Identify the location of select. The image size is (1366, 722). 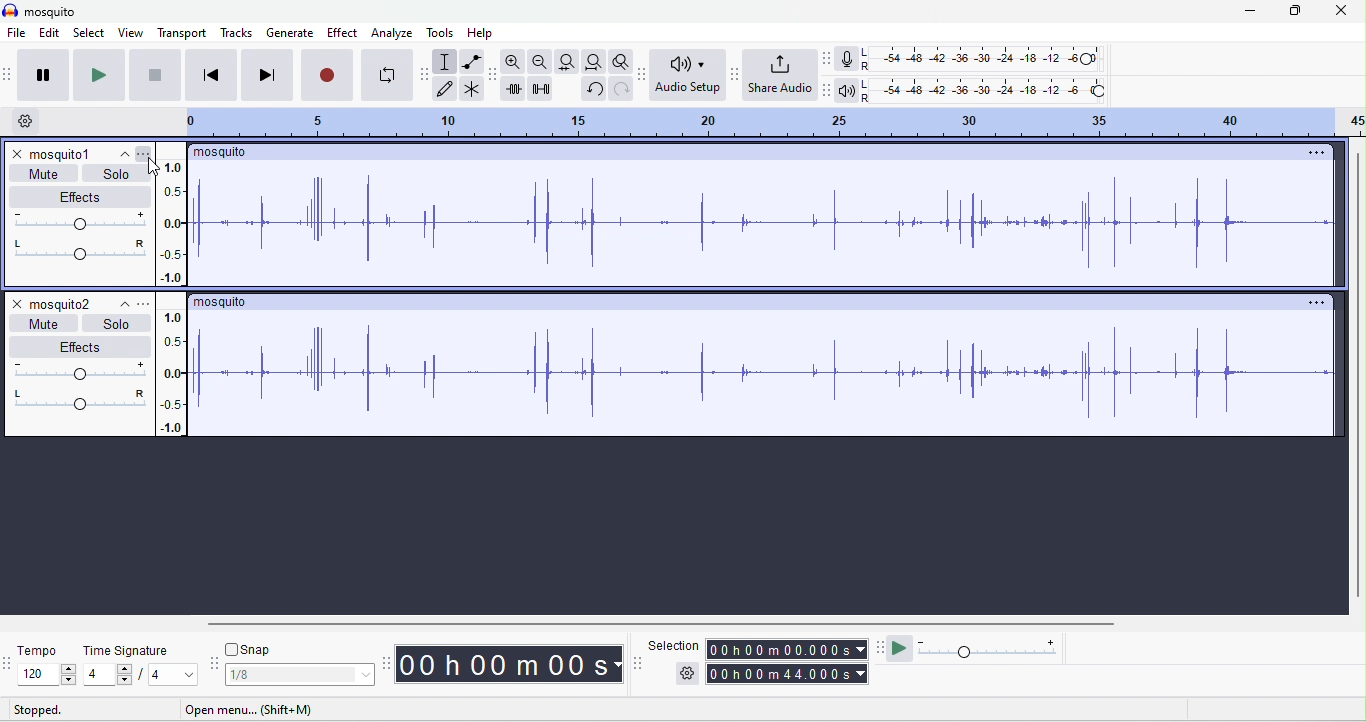
(90, 34).